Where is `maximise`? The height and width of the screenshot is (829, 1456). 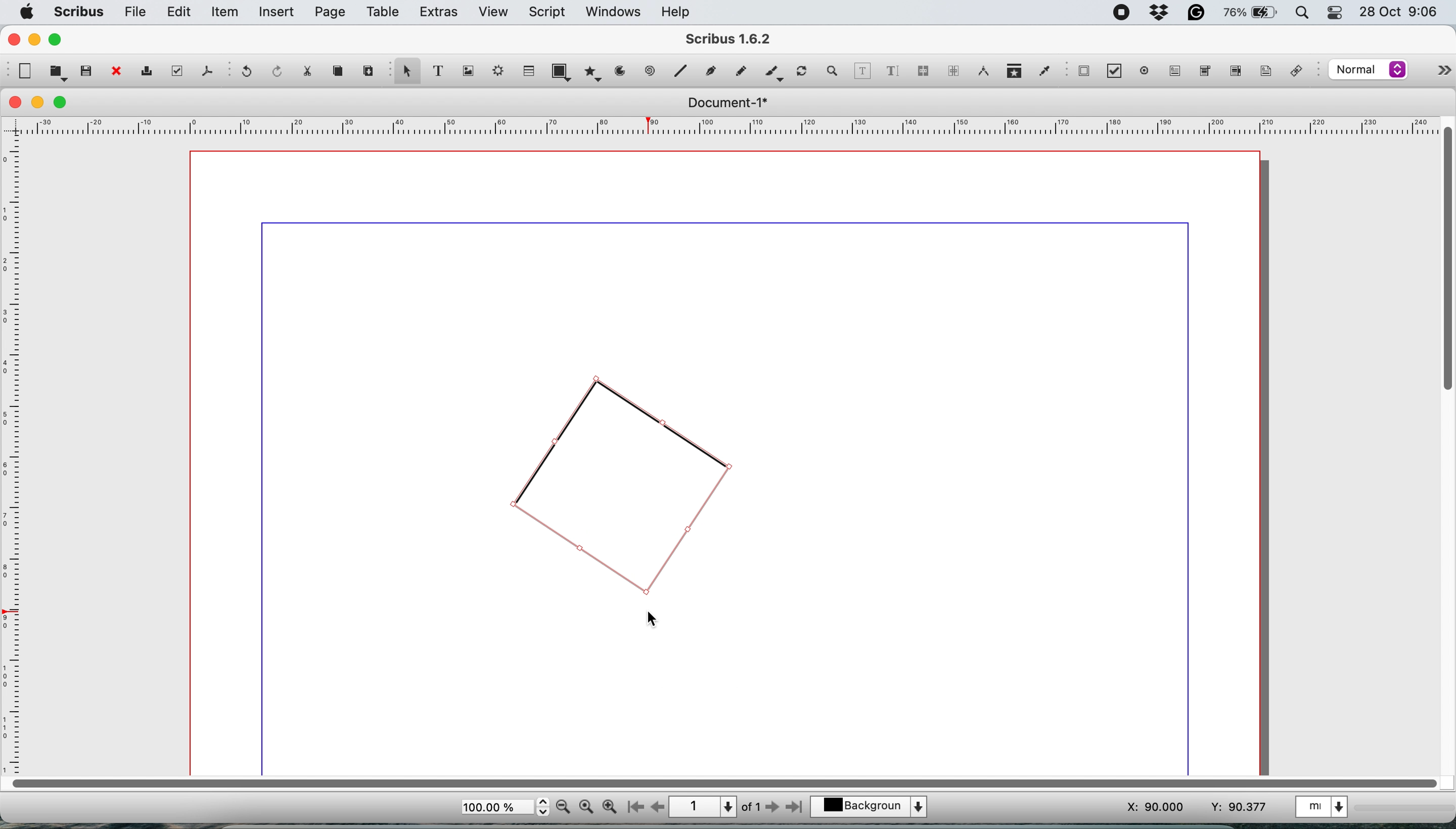 maximise is located at coordinates (59, 40).